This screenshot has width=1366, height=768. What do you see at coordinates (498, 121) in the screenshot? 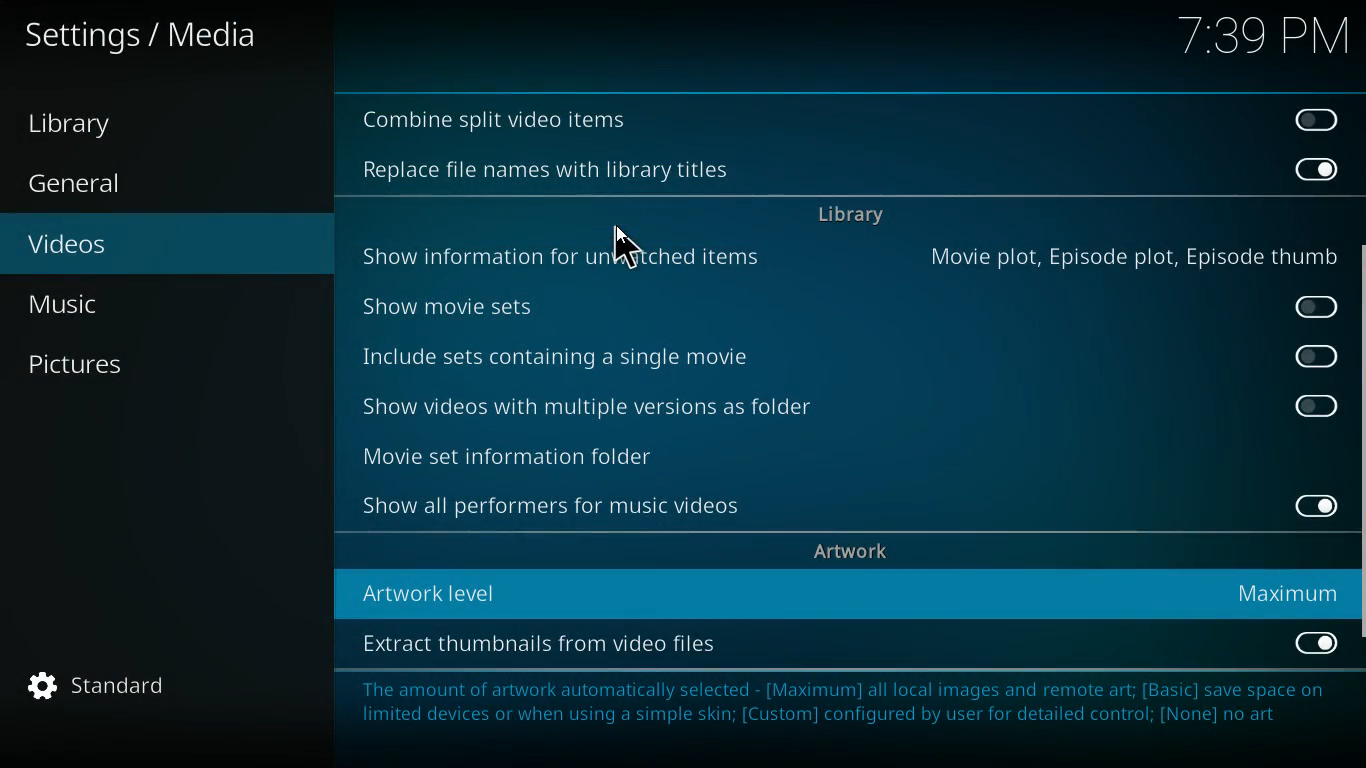
I see `combine split video items` at bounding box center [498, 121].